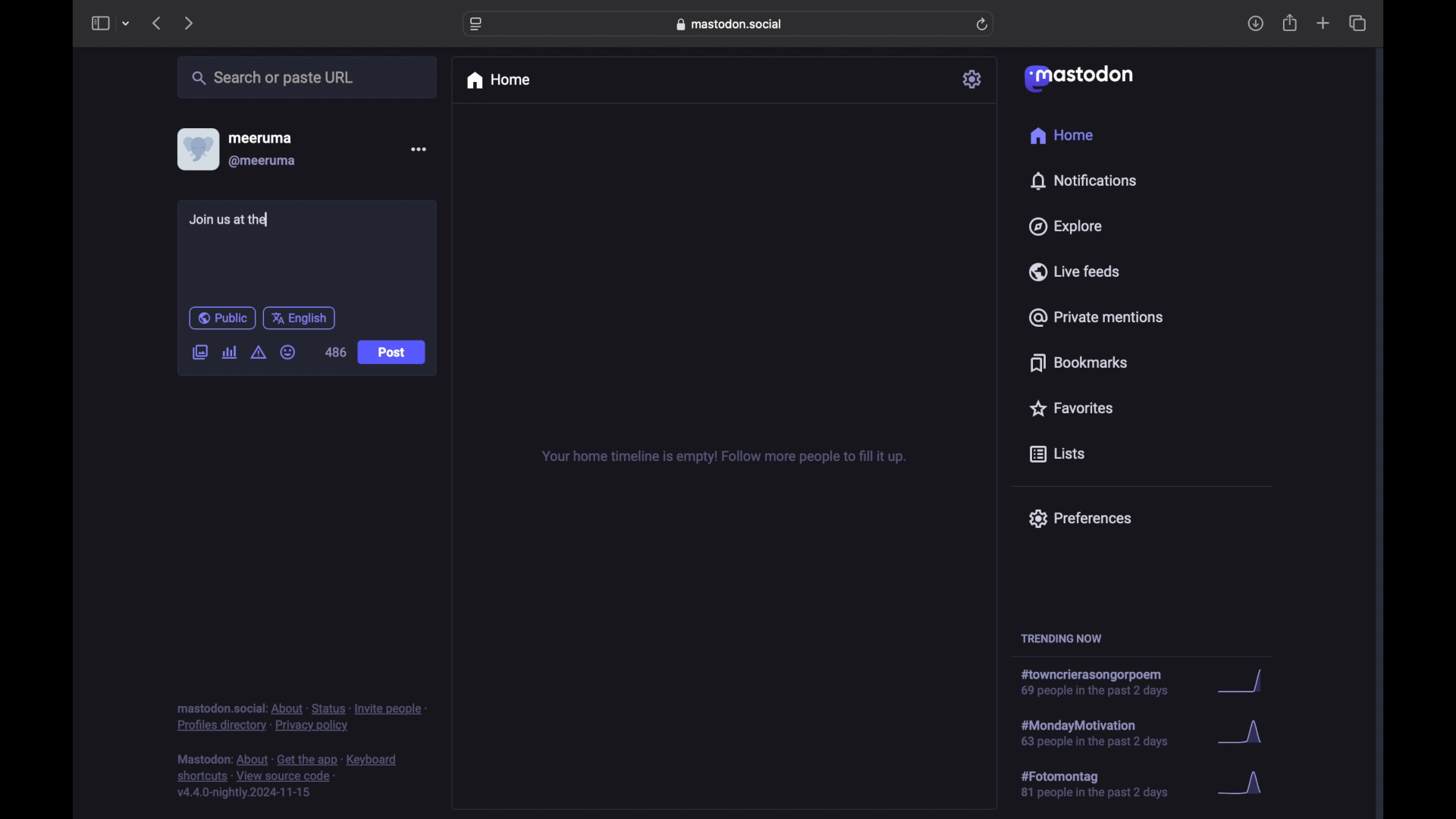 The width and height of the screenshot is (1456, 819). Describe the element at coordinates (1323, 23) in the screenshot. I see `new tab` at that location.